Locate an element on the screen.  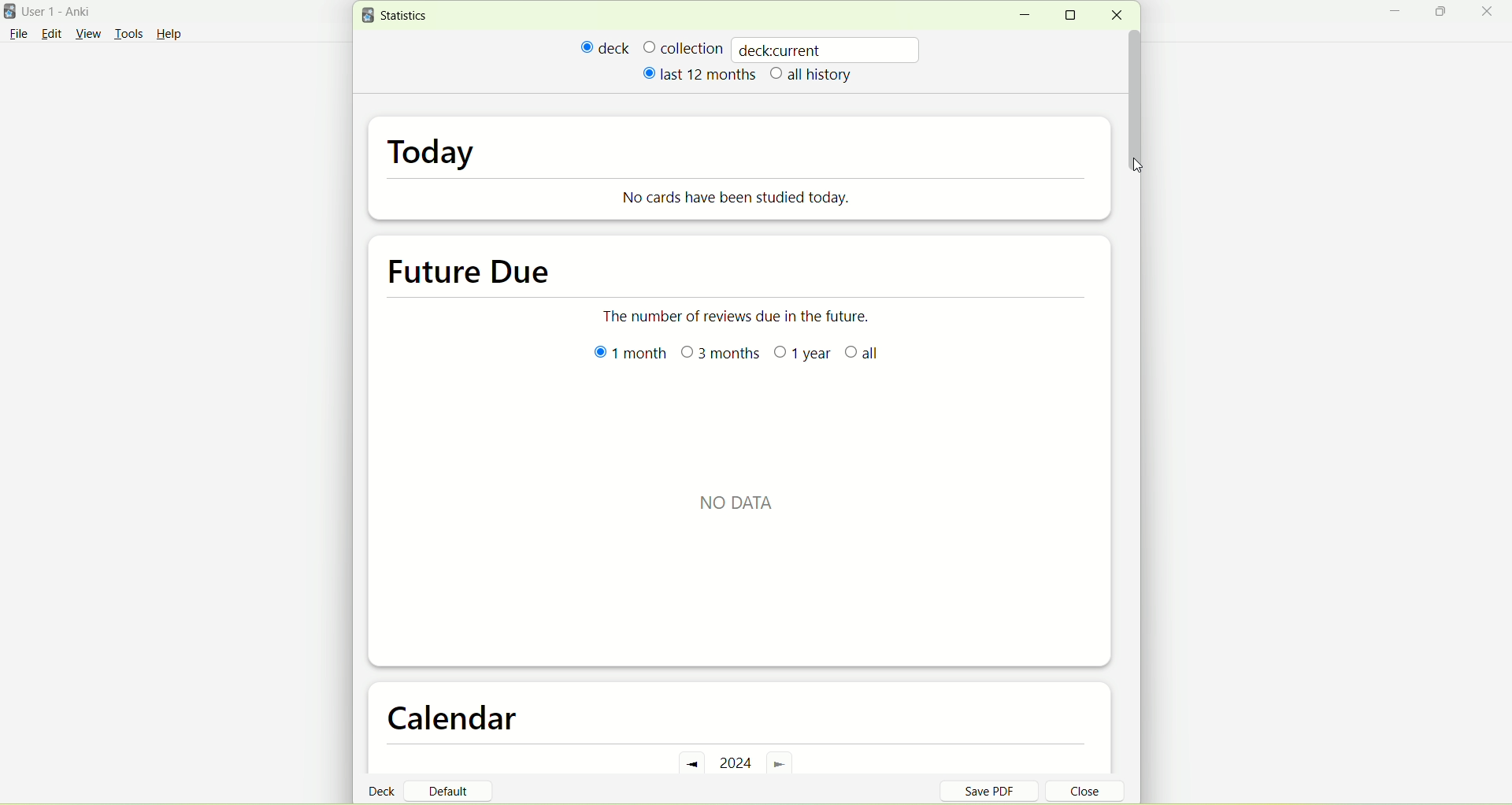
save PDF is located at coordinates (999, 790).